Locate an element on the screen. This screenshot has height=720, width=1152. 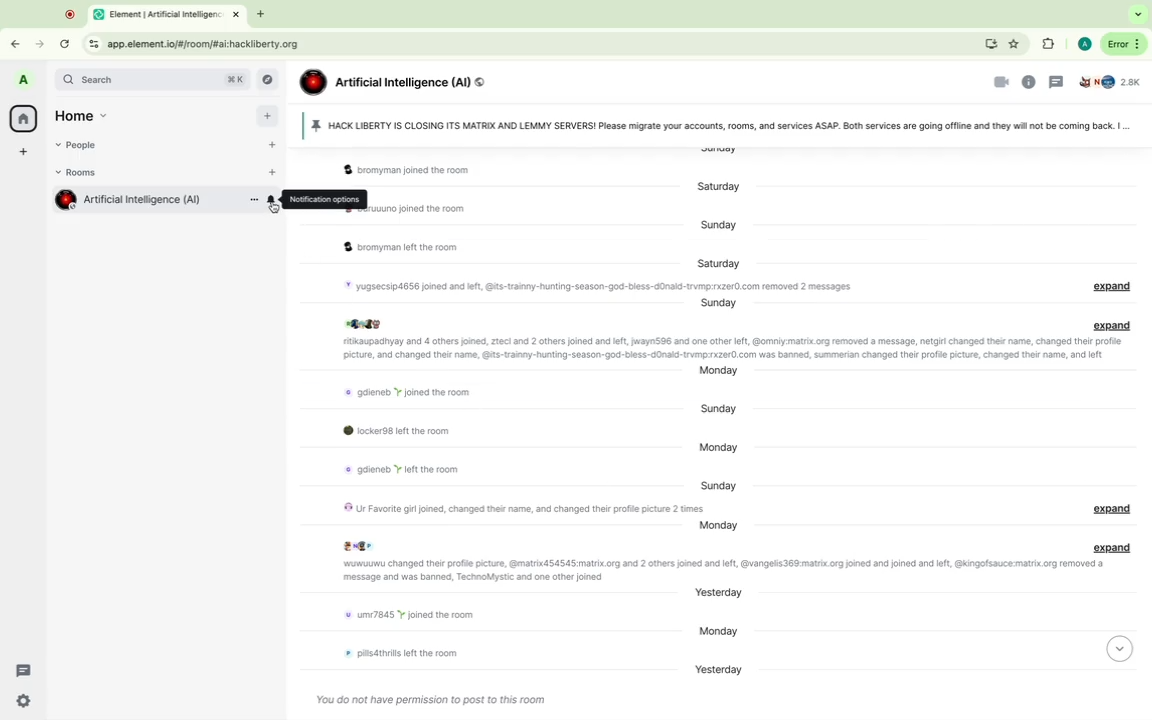
Start chat is located at coordinates (272, 145).